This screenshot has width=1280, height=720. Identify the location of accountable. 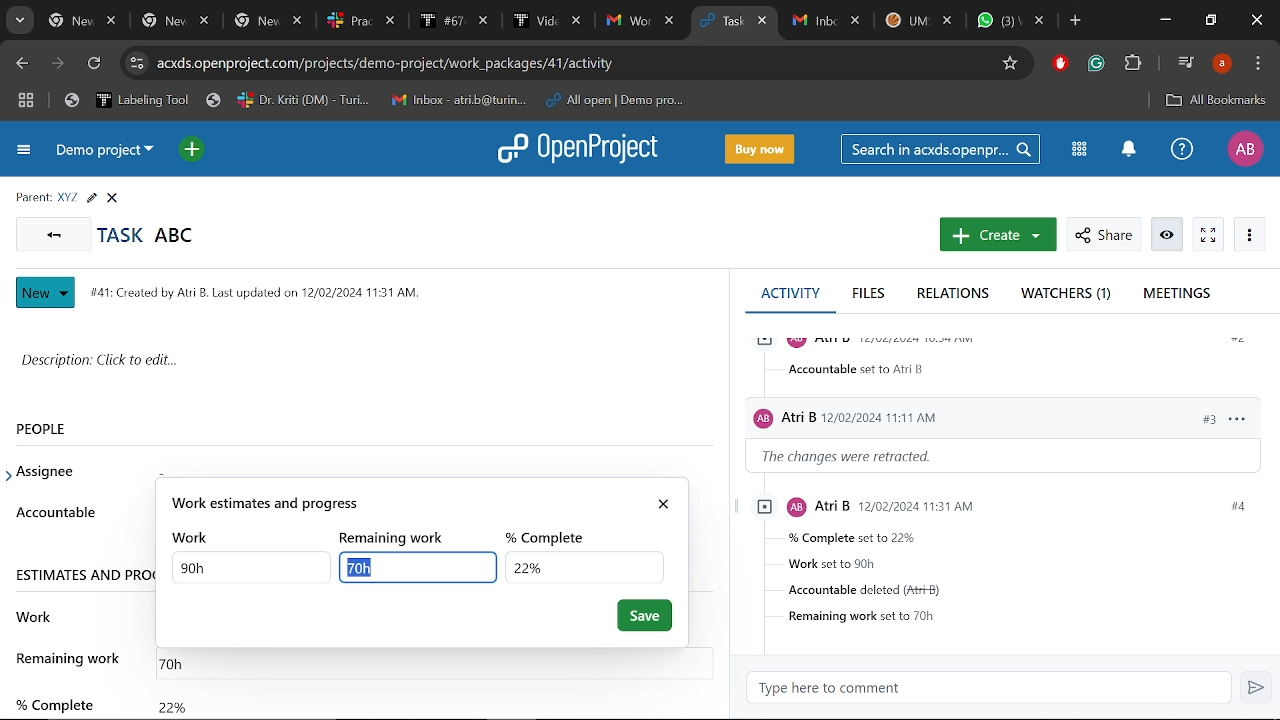
(860, 369).